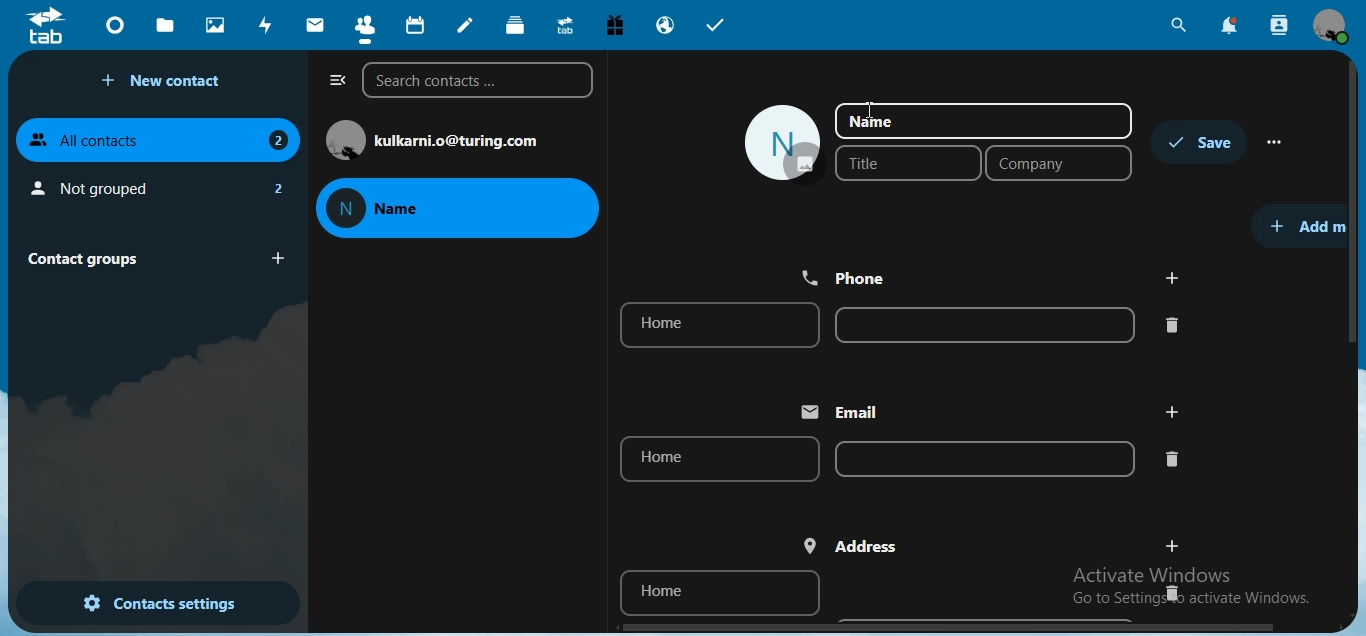  I want to click on eamil, so click(848, 412).